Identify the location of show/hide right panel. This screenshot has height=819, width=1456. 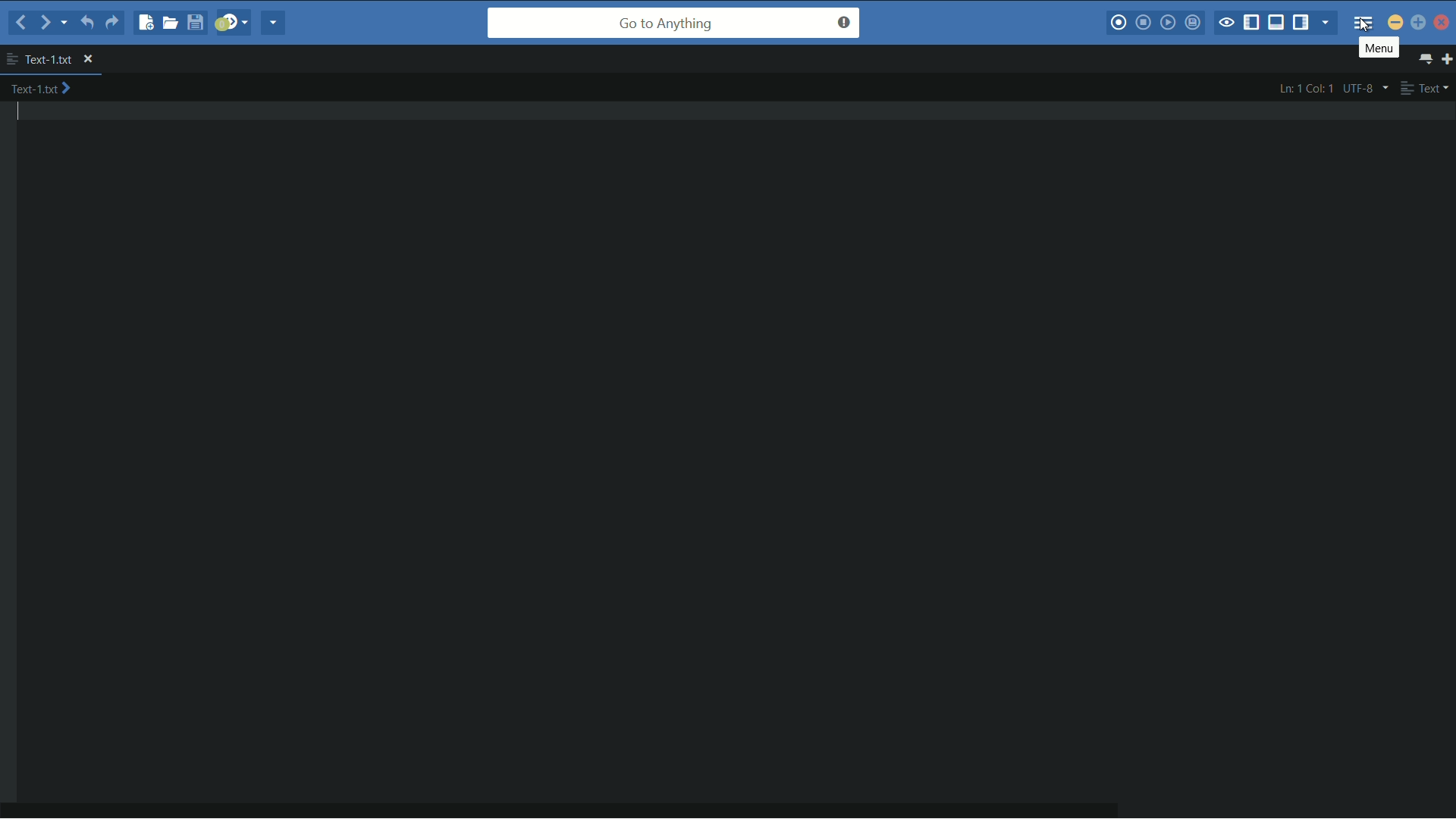
(1302, 24).